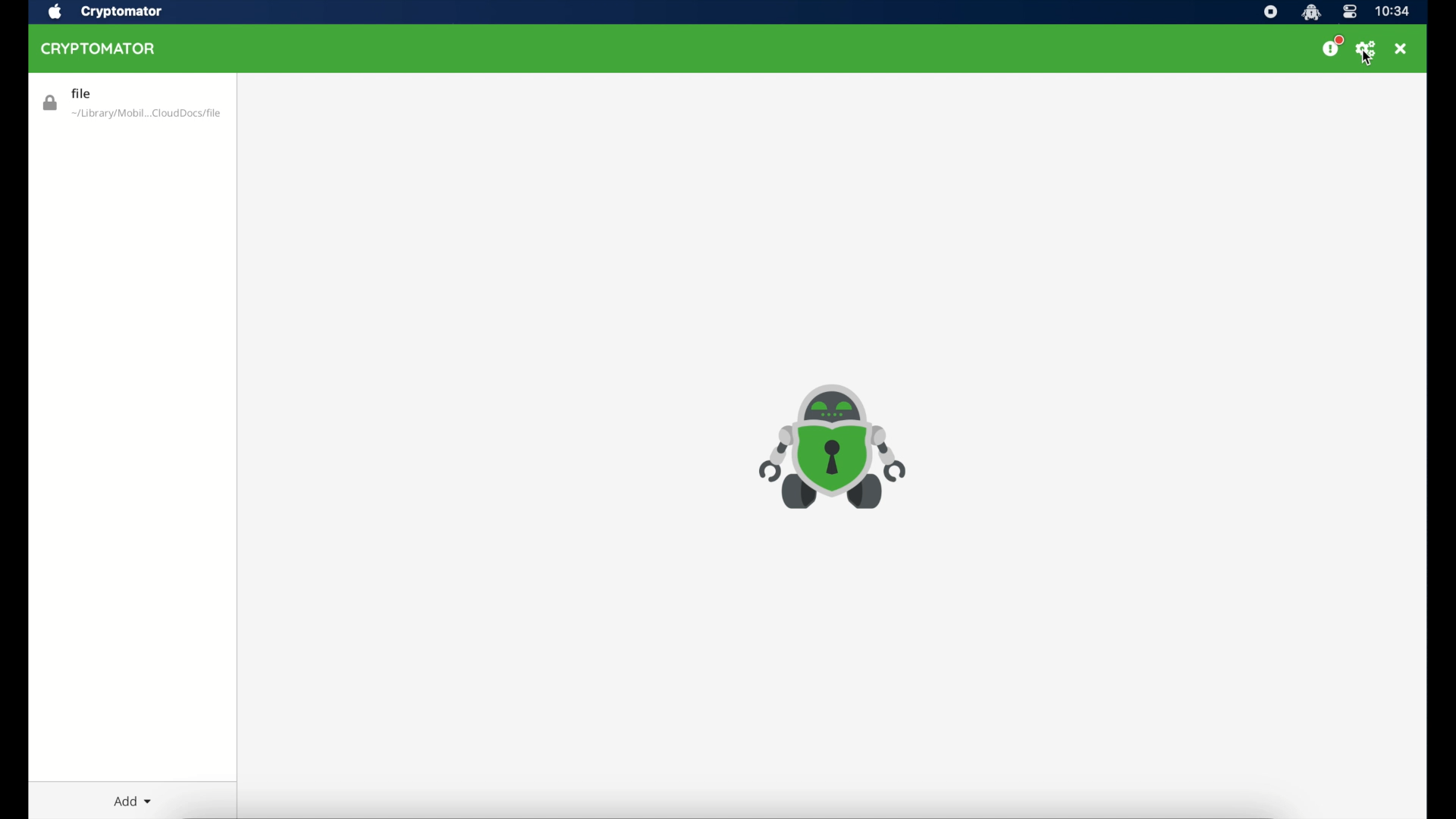  I want to click on cryptomator icon, so click(834, 445).